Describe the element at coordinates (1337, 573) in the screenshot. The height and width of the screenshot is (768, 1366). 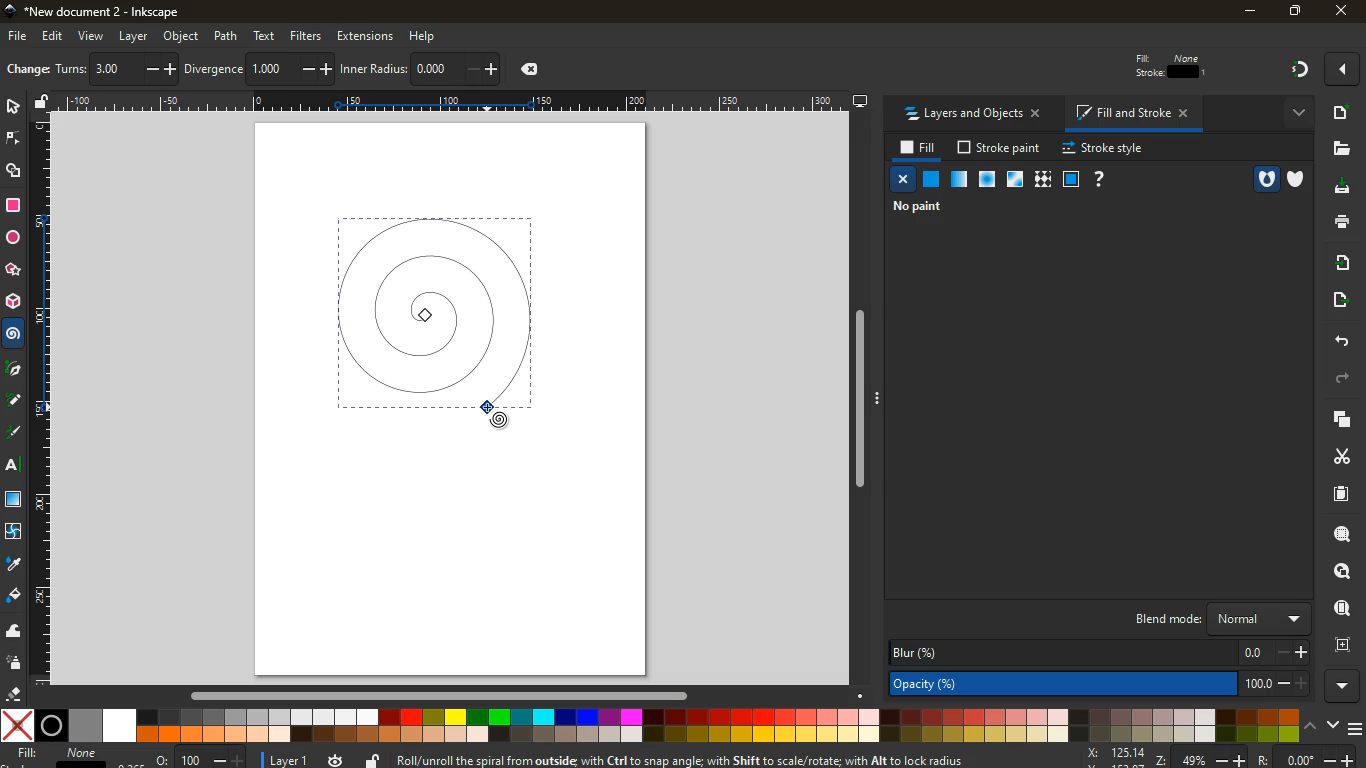
I see `look` at that location.